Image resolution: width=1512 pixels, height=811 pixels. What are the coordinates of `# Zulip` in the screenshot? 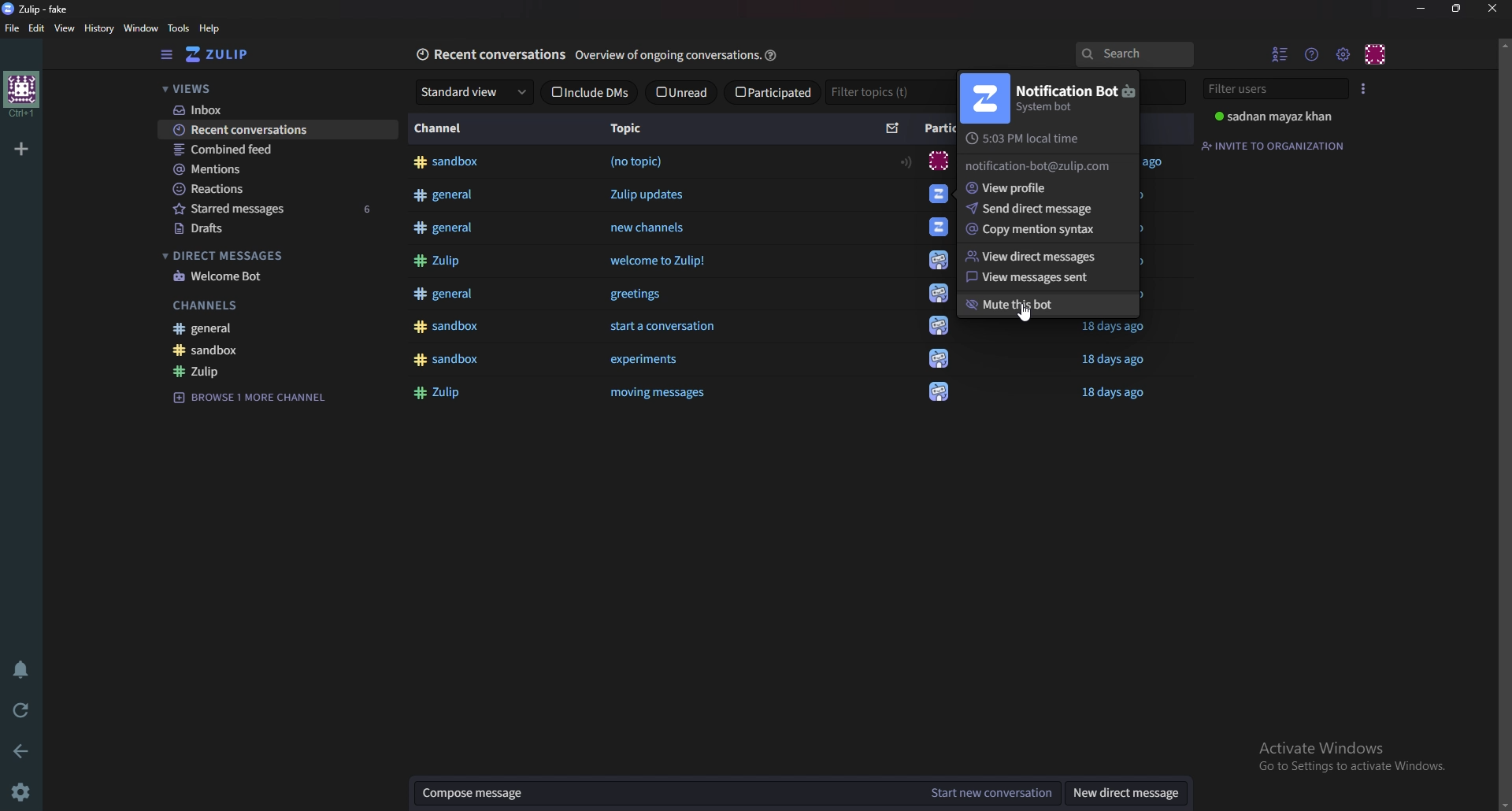 It's located at (443, 391).